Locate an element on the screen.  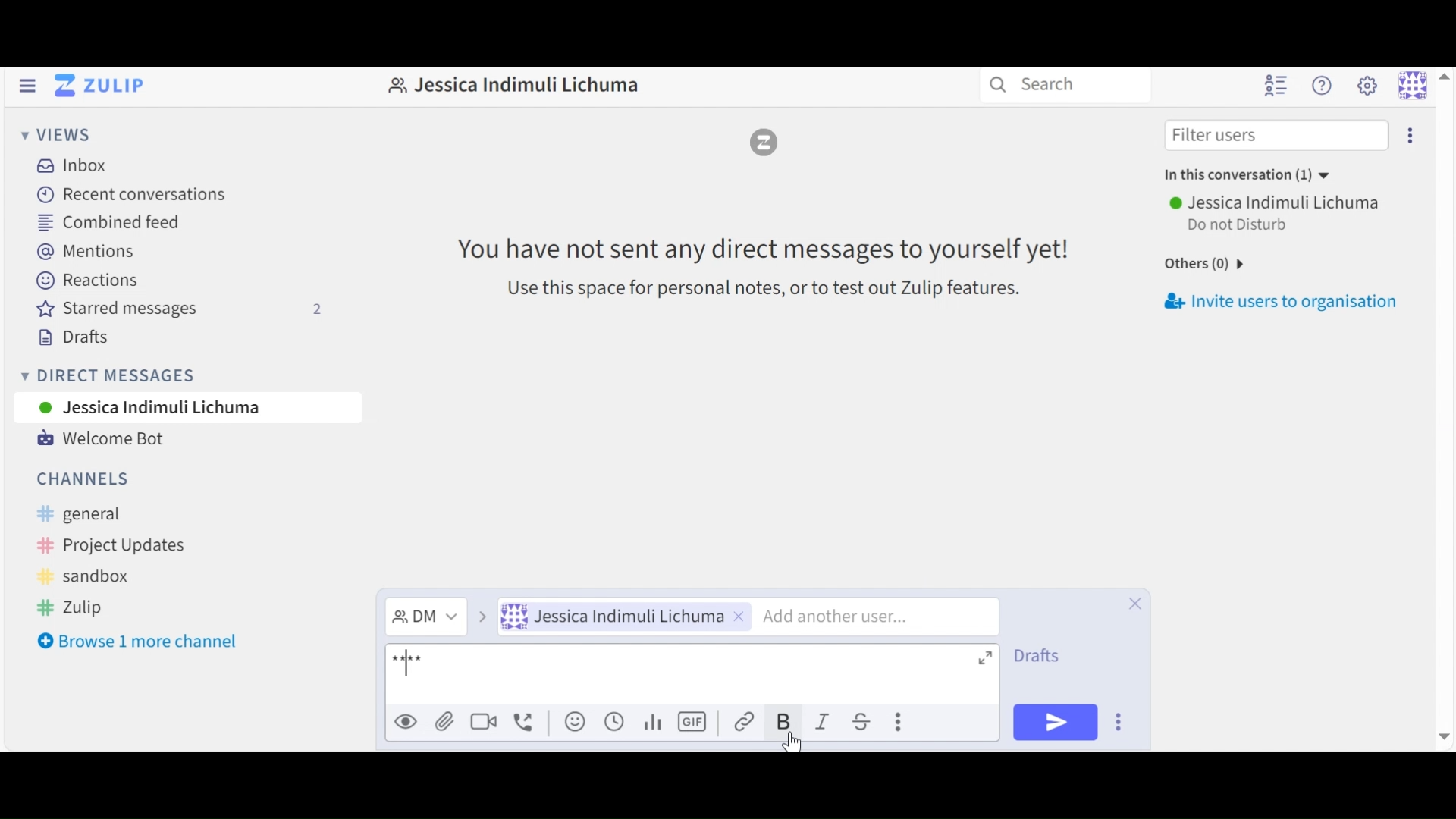
in this conversation (1) is located at coordinates (1250, 174).